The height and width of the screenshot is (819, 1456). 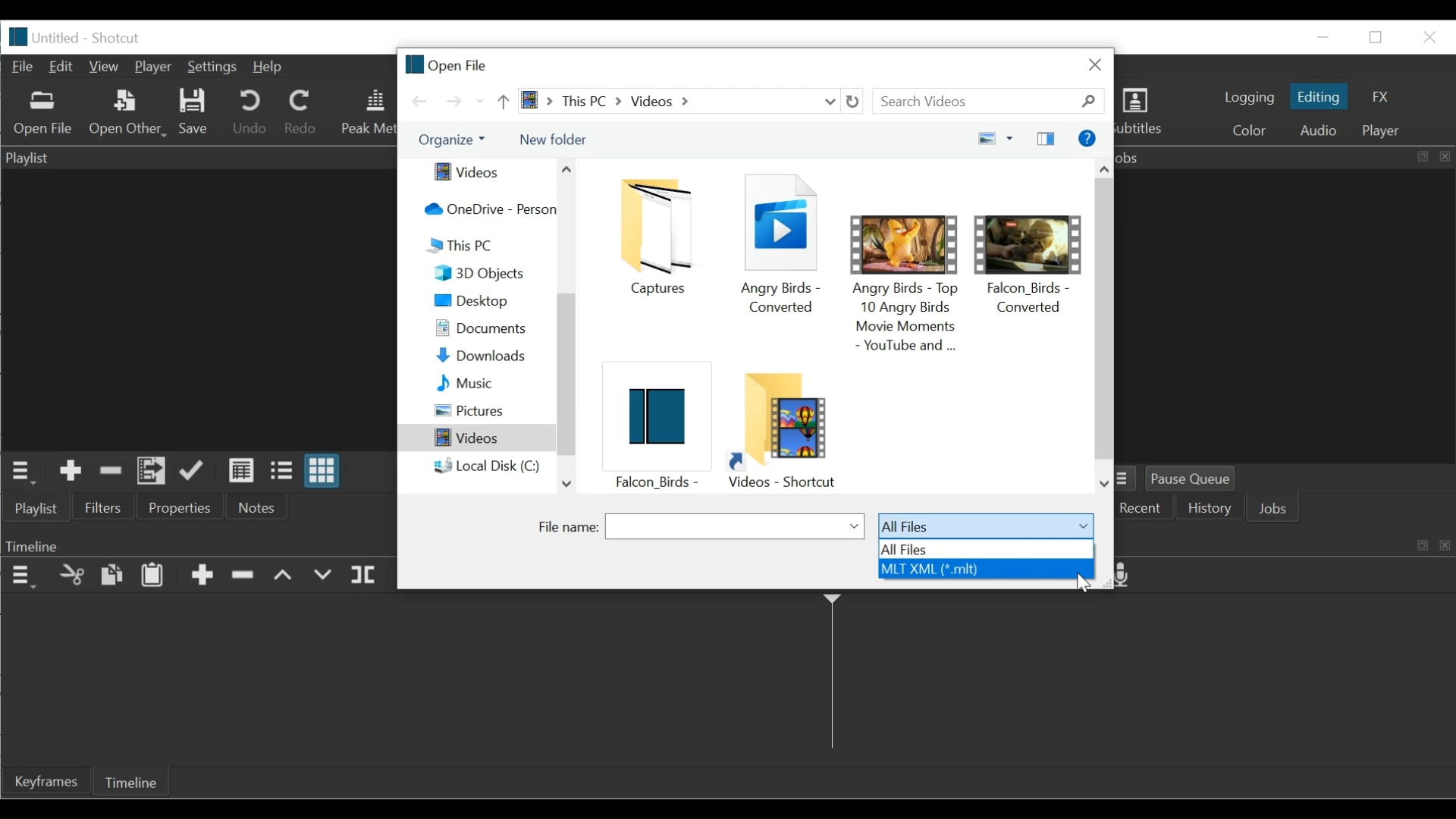 I want to click on Update, so click(x=196, y=472).